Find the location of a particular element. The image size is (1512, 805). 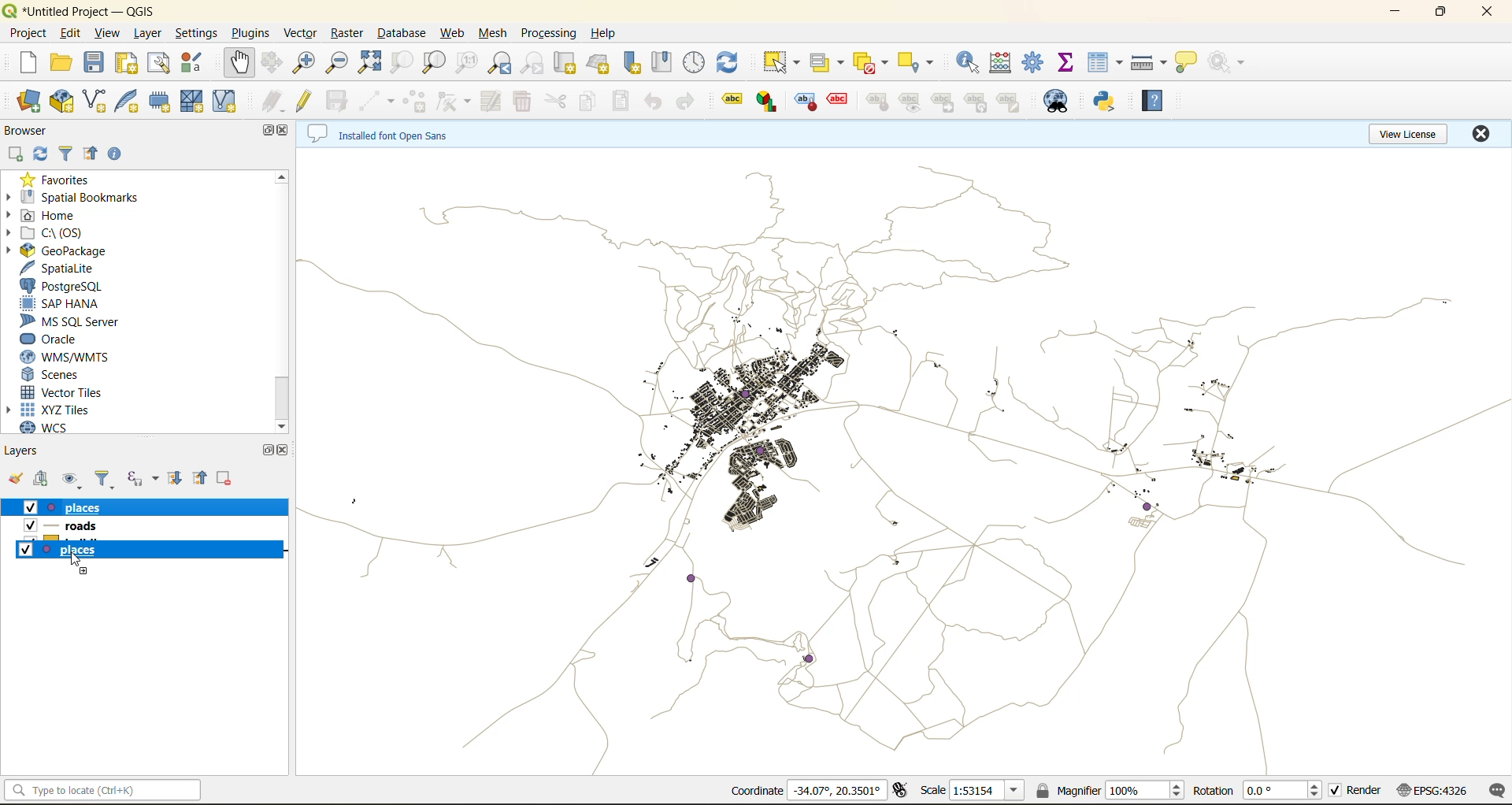

save edits is located at coordinates (333, 105).